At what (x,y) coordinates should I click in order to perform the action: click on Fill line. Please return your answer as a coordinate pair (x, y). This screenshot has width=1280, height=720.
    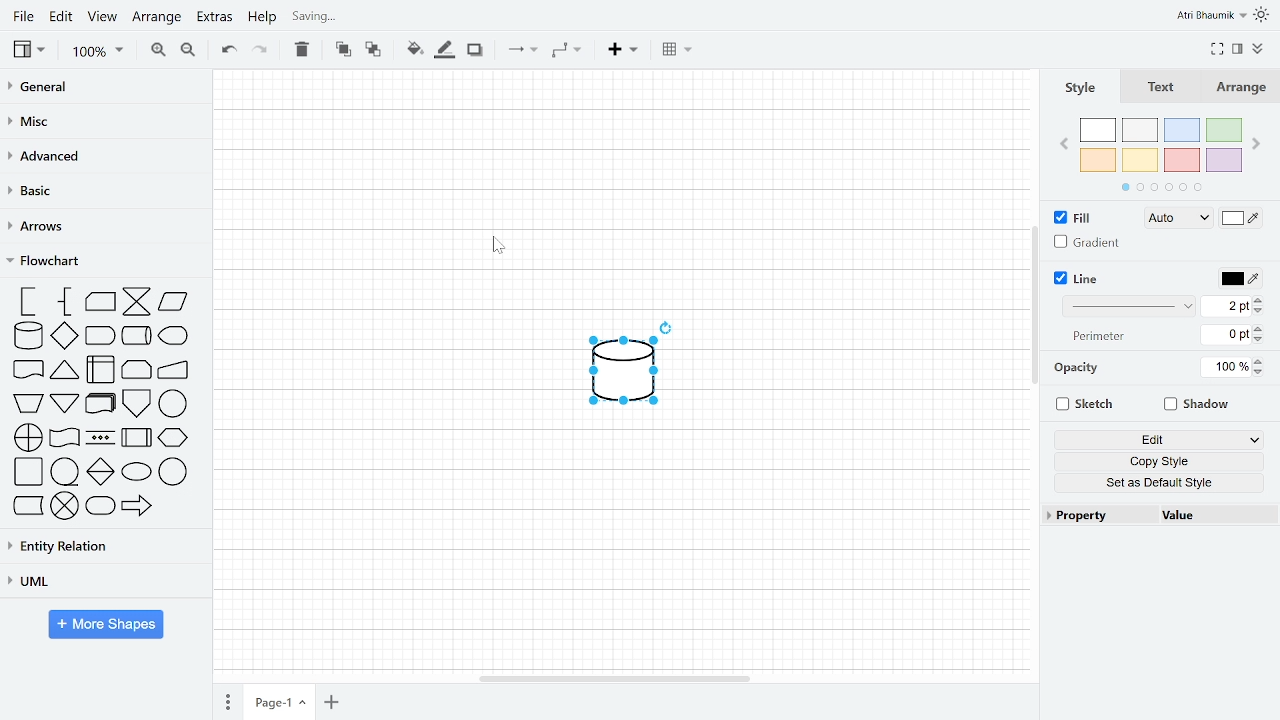
    Looking at the image, I should click on (445, 50).